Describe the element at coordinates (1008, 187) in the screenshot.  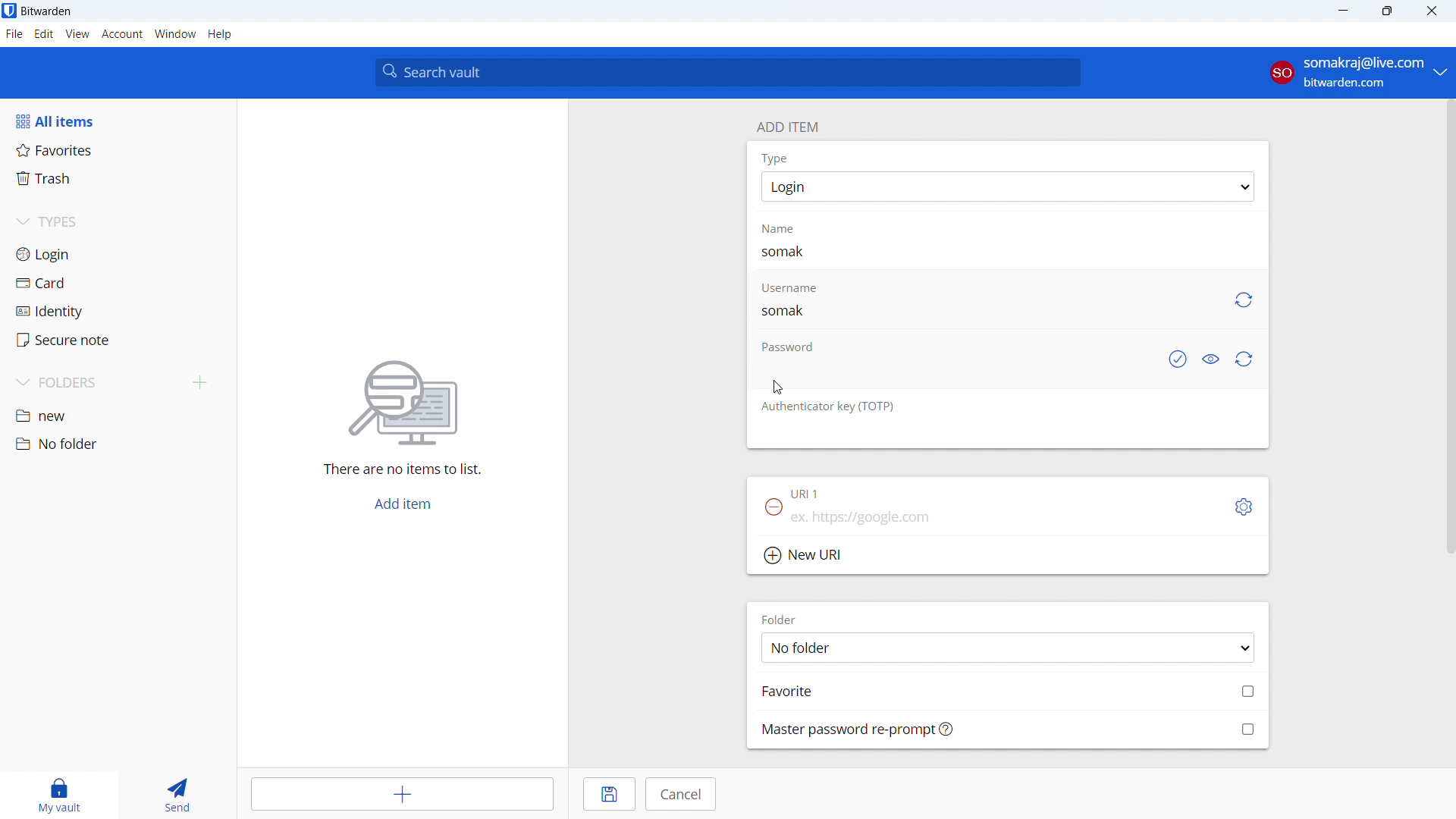
I see `select item type` at that location.